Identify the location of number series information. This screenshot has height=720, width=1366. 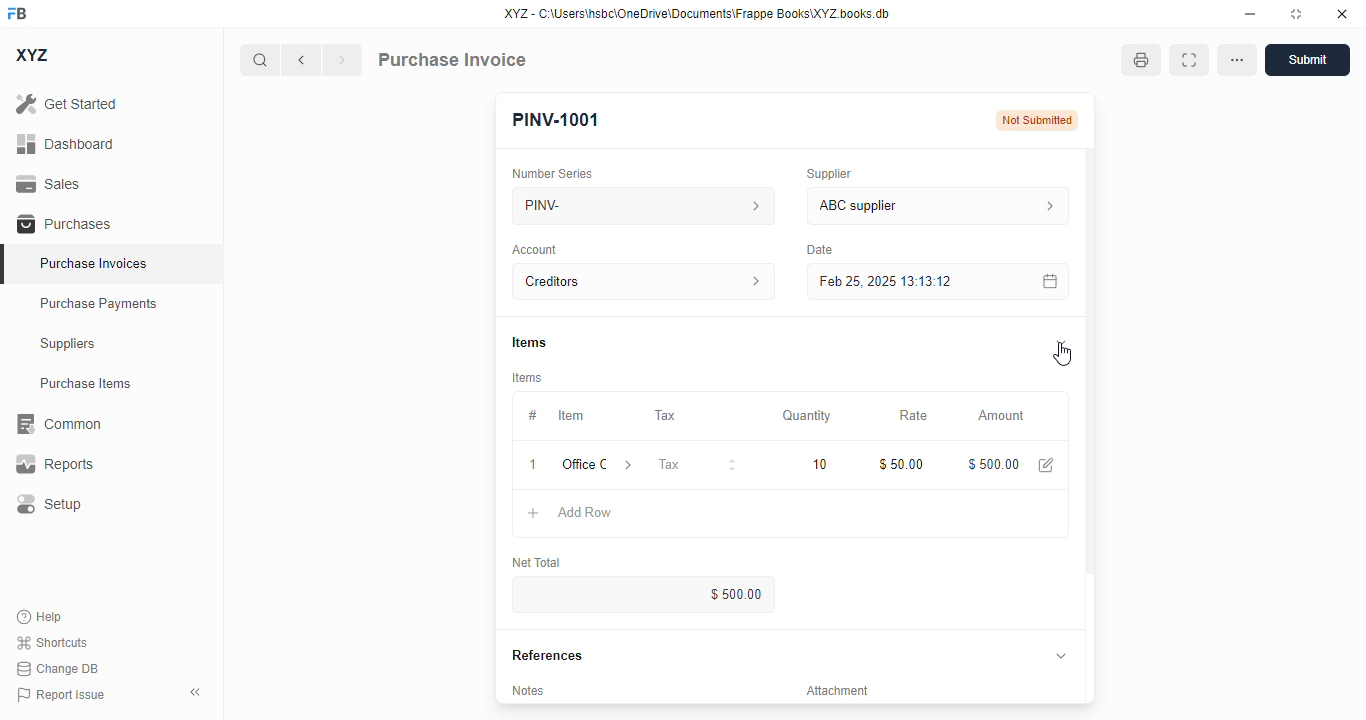
(754, 205).